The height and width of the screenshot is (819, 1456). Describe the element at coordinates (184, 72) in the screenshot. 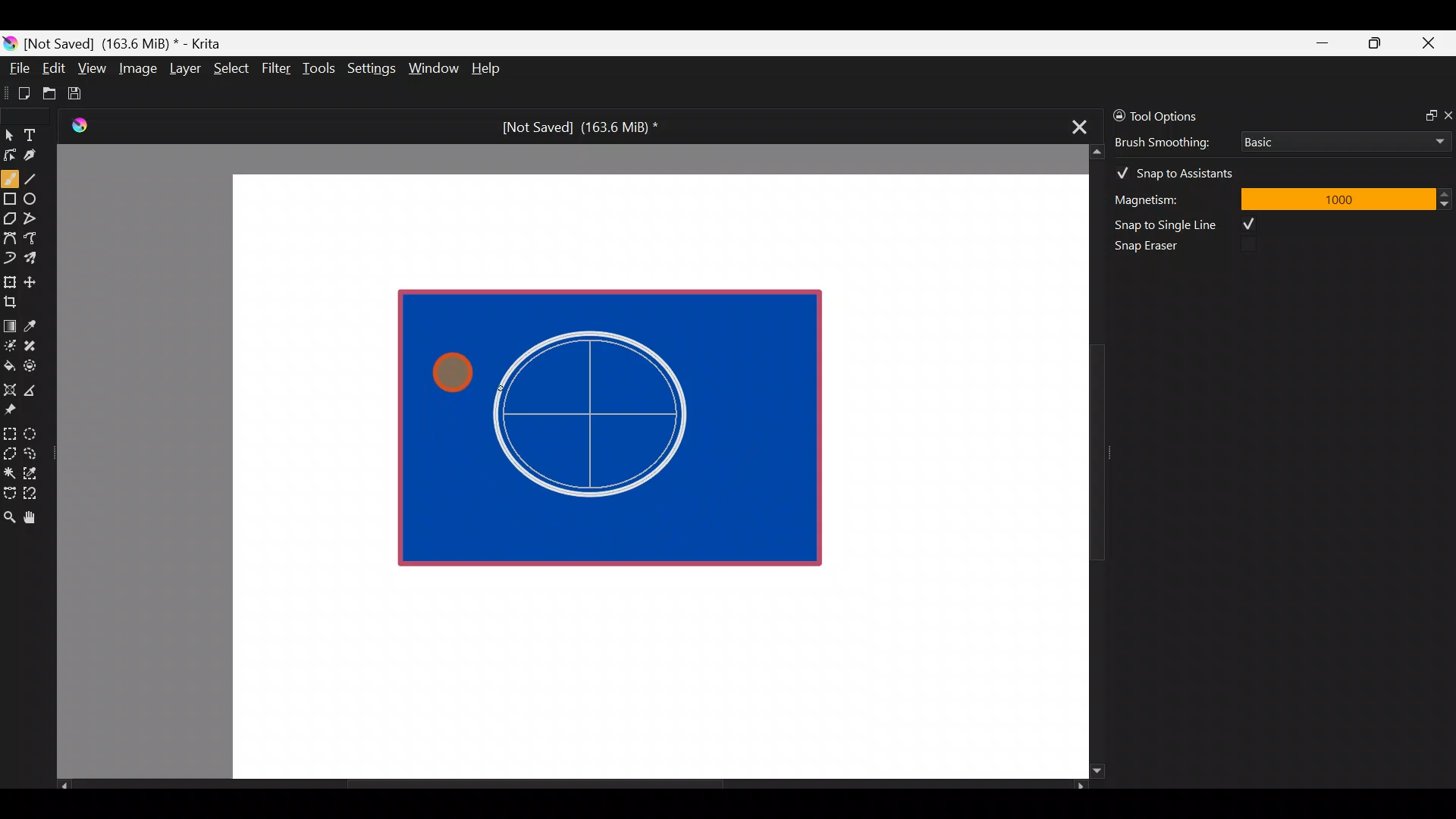

I see `Layer` at that location.